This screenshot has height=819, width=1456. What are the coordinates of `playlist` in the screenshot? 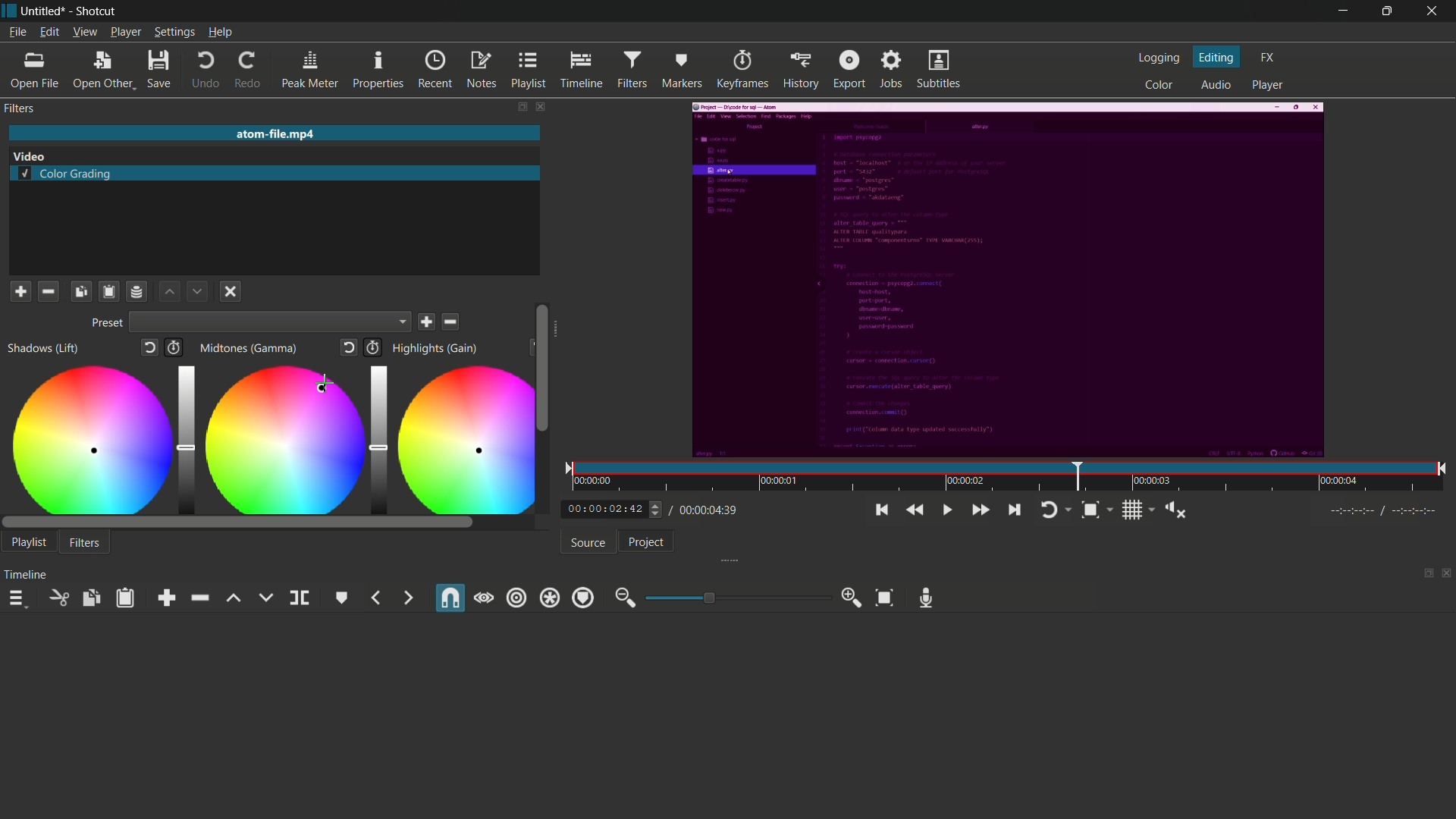 It's located at (528, 70).